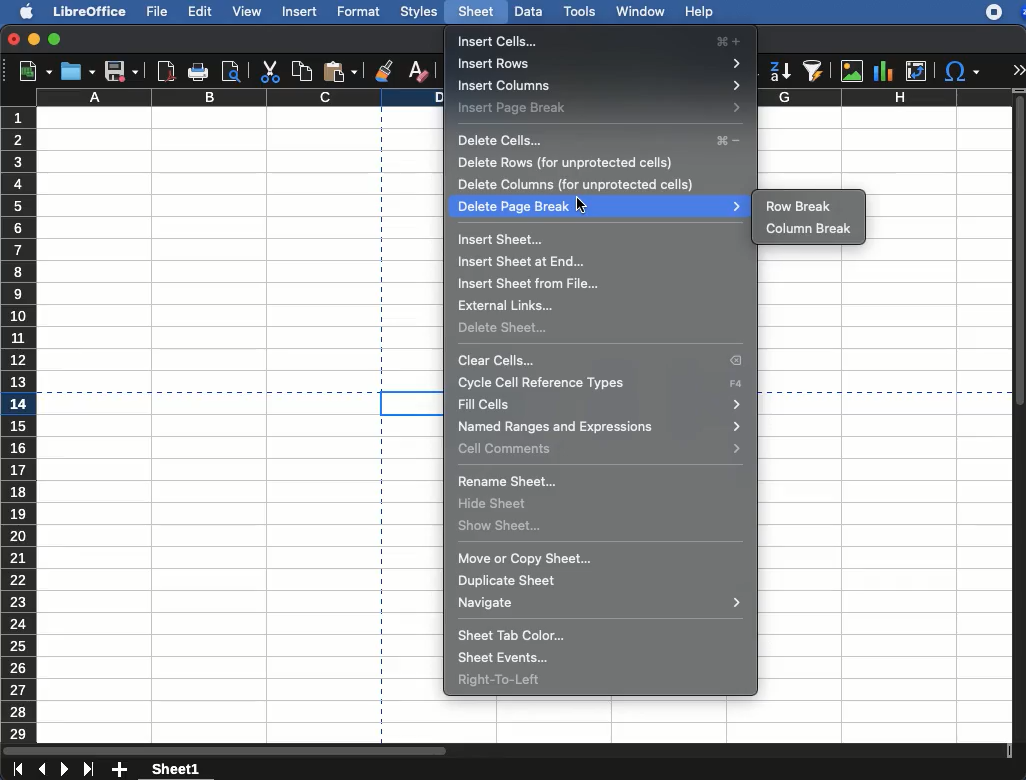 Image resolution: width=1026 pixels, height=780 pixels. I want to click on fill cells, so click(602, 405).